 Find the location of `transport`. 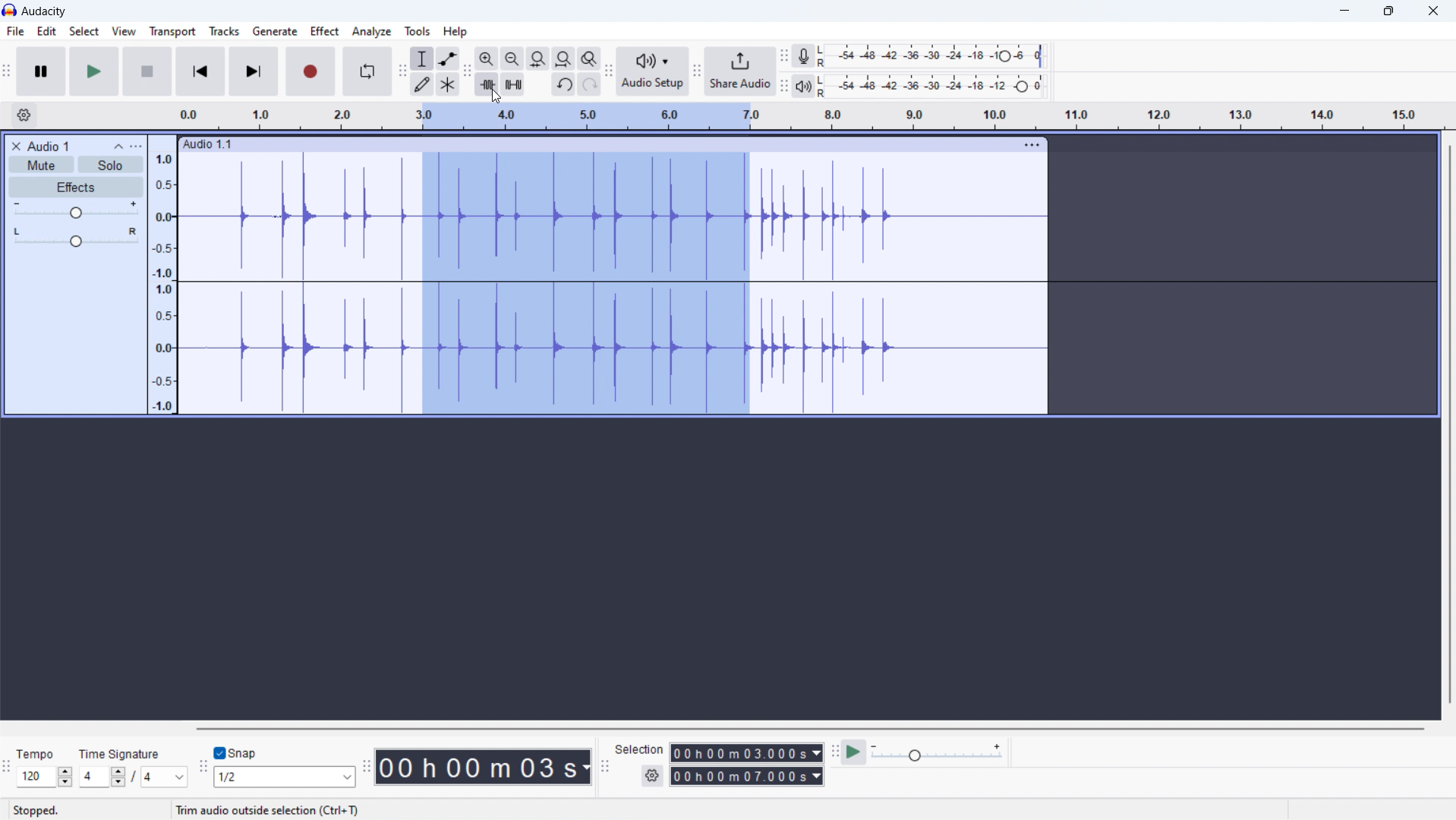

transport is located at coordinates (172, 31).